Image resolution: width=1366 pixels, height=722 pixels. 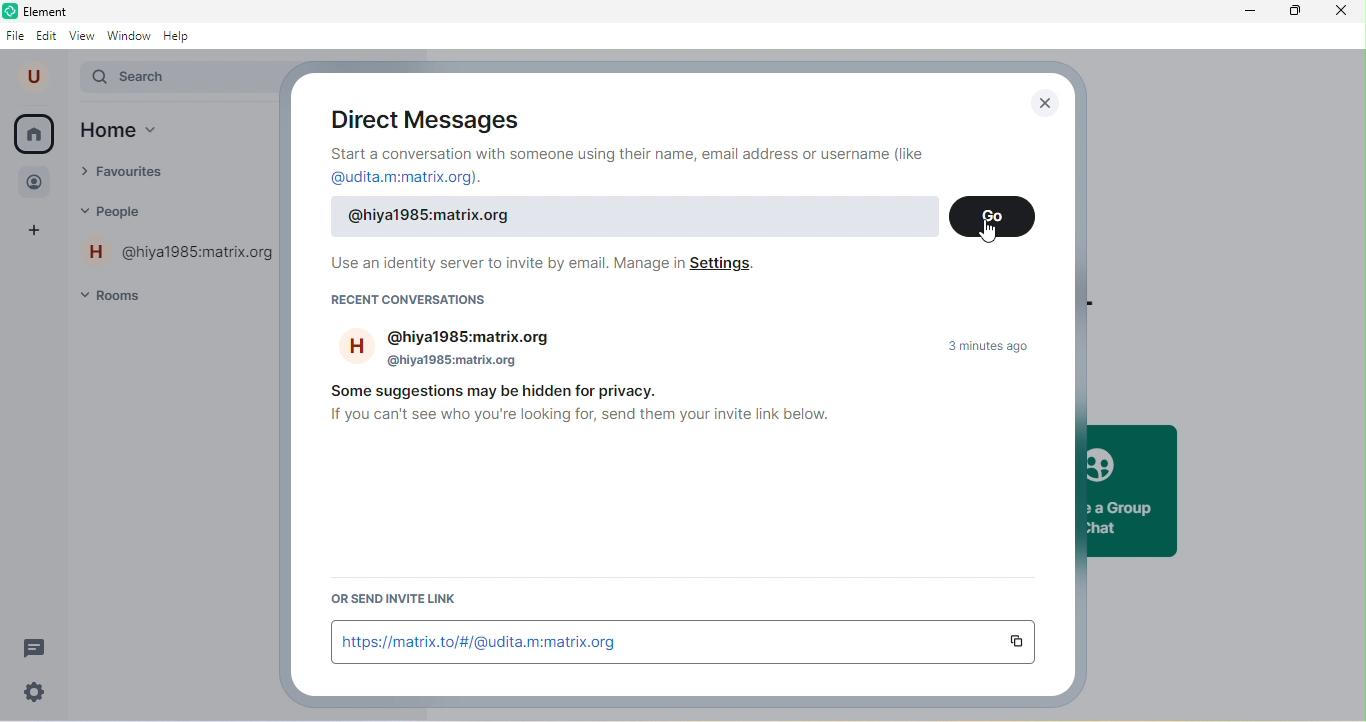 I want to click on @udita m matrix.org, so click(x=413, y=176).